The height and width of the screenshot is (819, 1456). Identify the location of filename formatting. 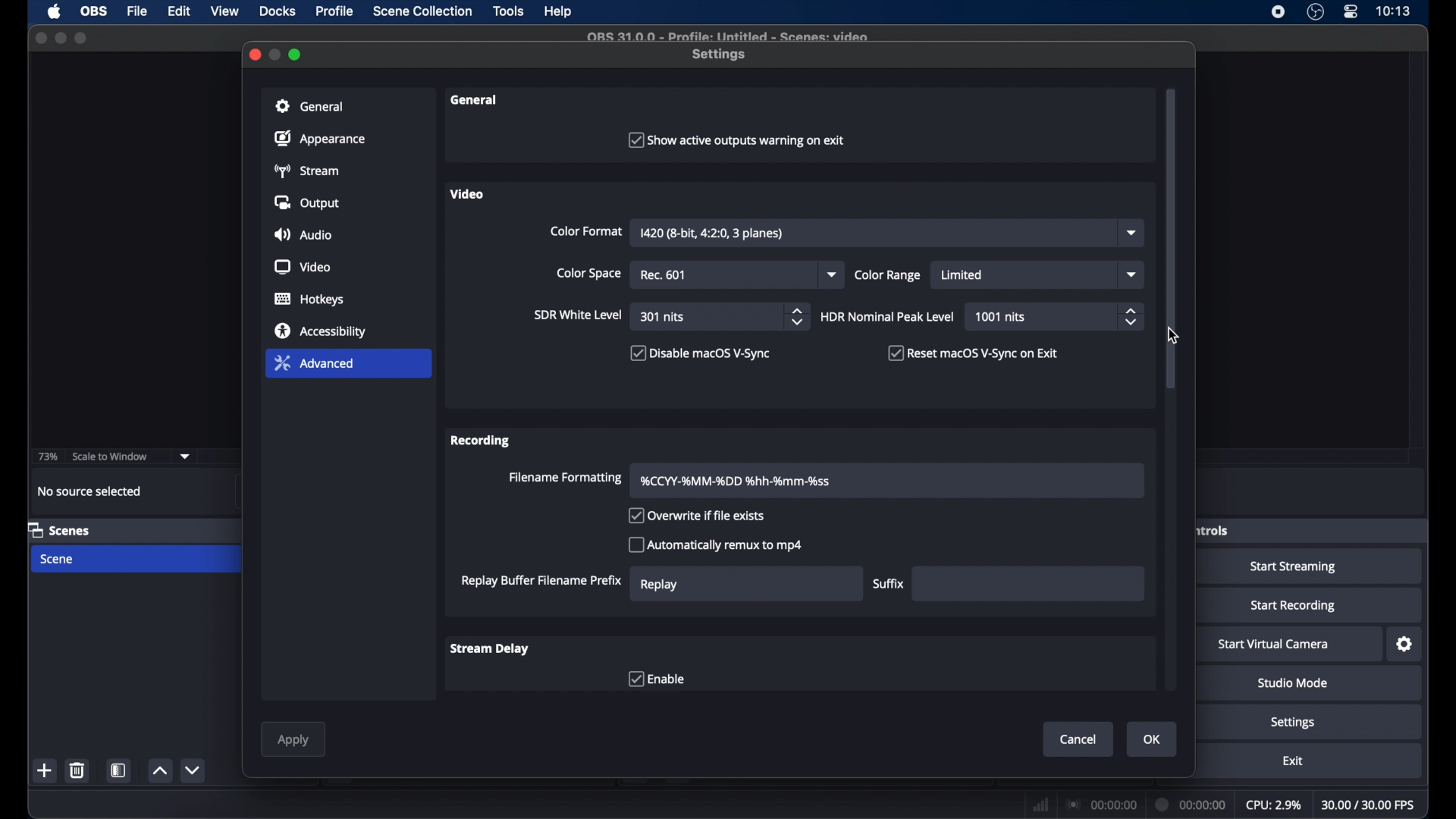
(567, 478).